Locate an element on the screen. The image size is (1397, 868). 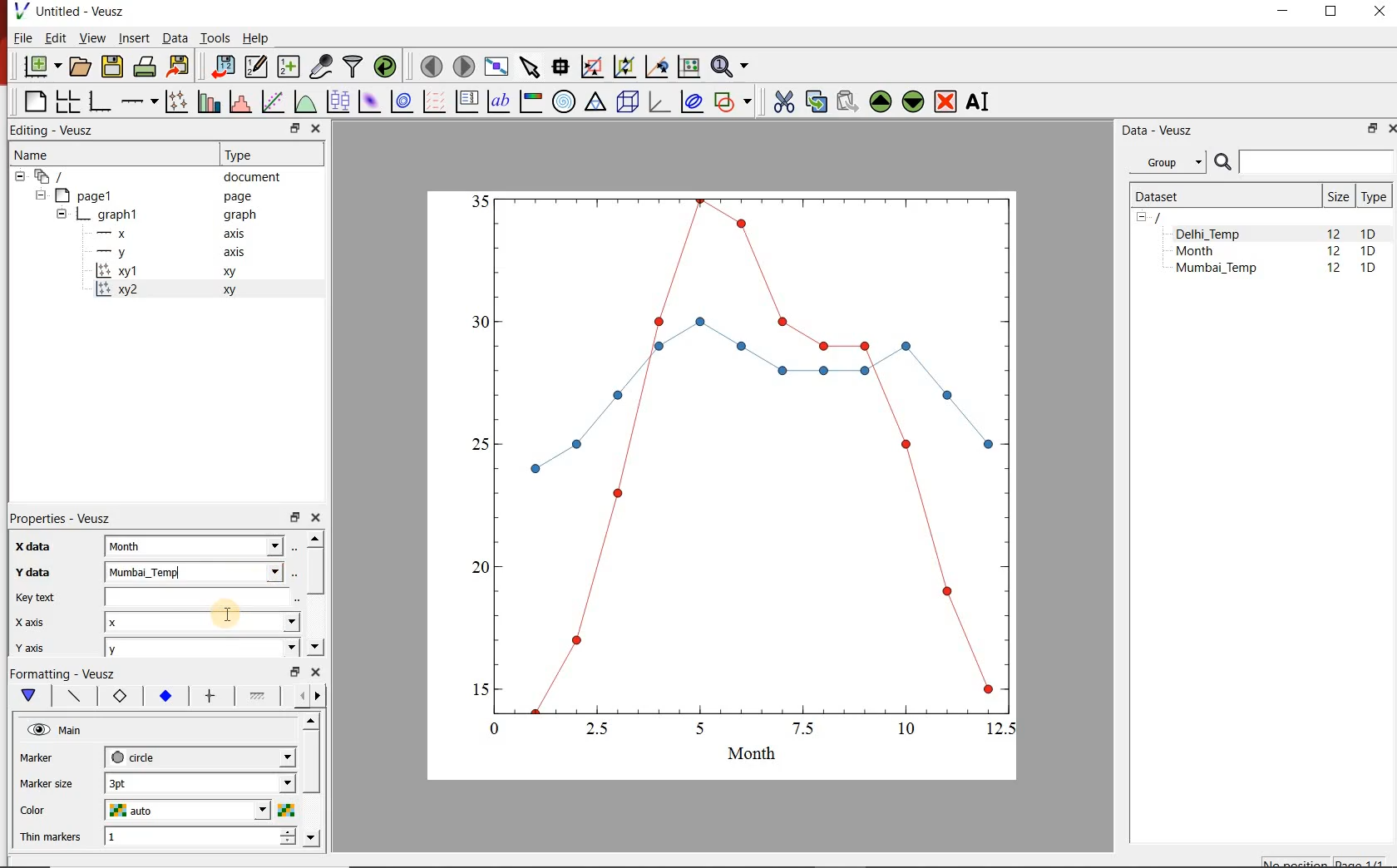
x axix is located at coordinates (26, 620).